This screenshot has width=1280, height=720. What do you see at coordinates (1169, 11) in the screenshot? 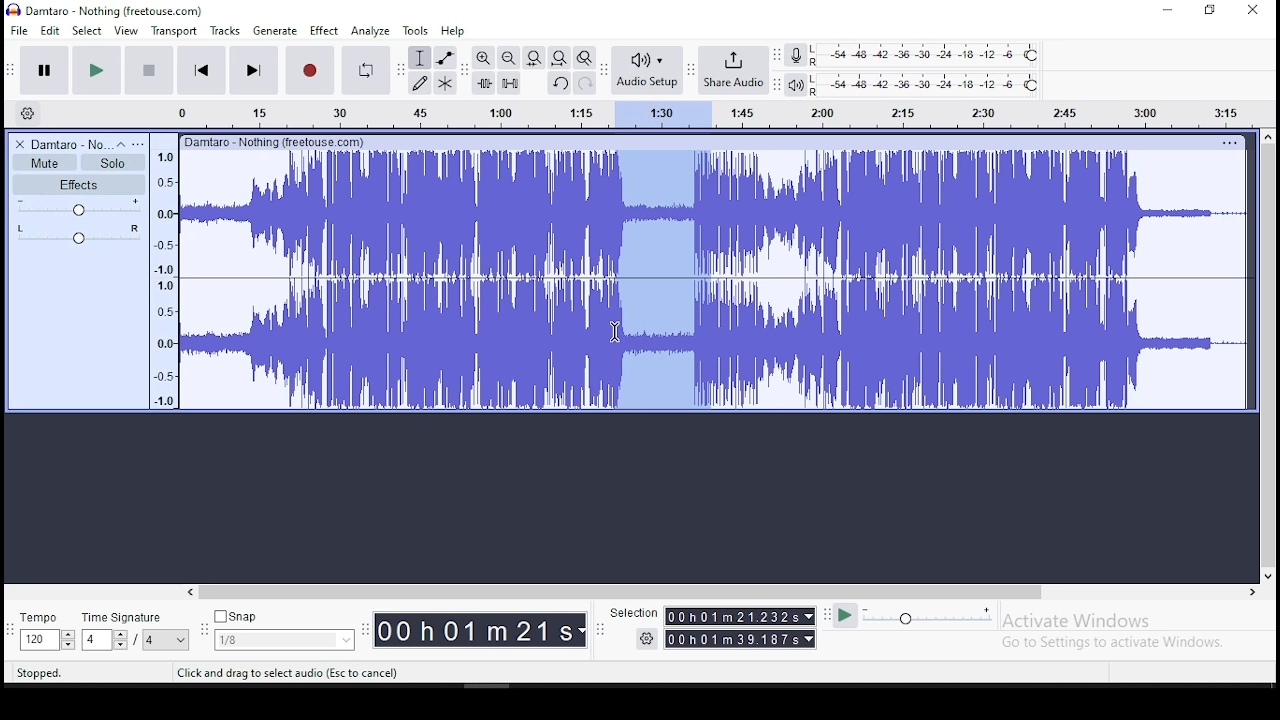
I see `minimize` at bounding box center [1169, 11].